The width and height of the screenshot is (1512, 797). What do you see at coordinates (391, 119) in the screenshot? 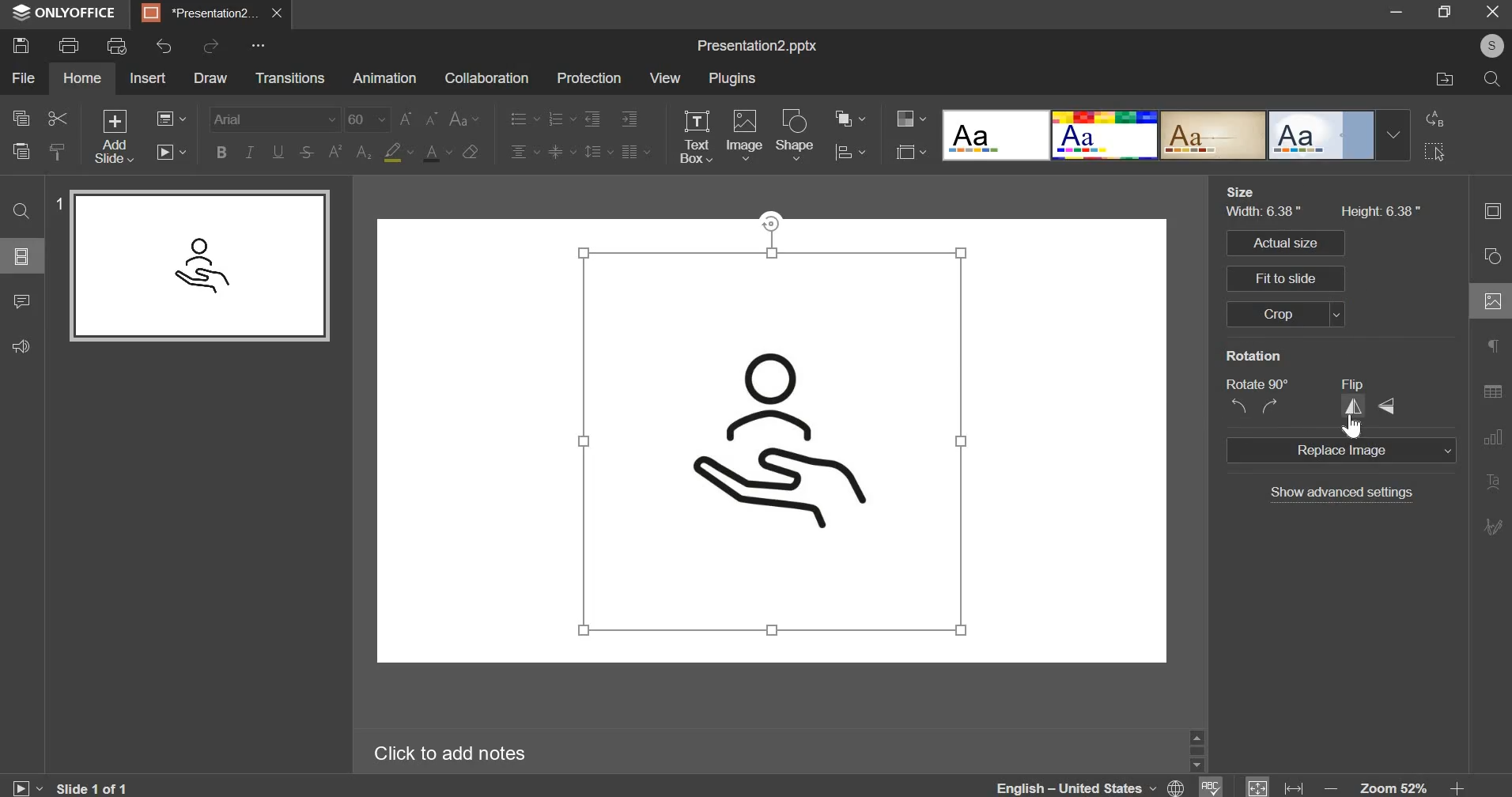
I see `font size chane` at bounding box center [391, 119].